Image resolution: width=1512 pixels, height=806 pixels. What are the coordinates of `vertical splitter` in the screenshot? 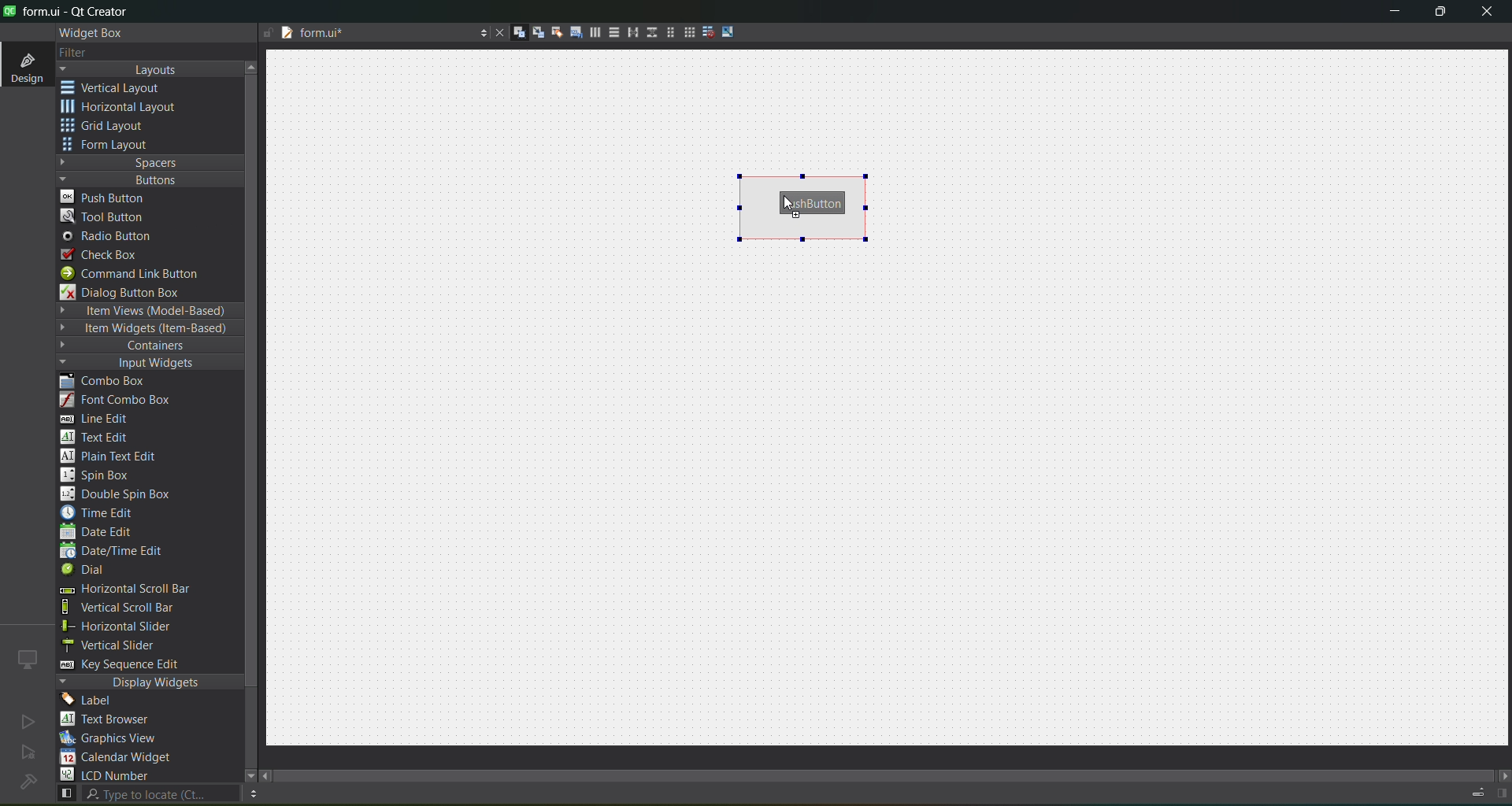 It's located at (650, 35).